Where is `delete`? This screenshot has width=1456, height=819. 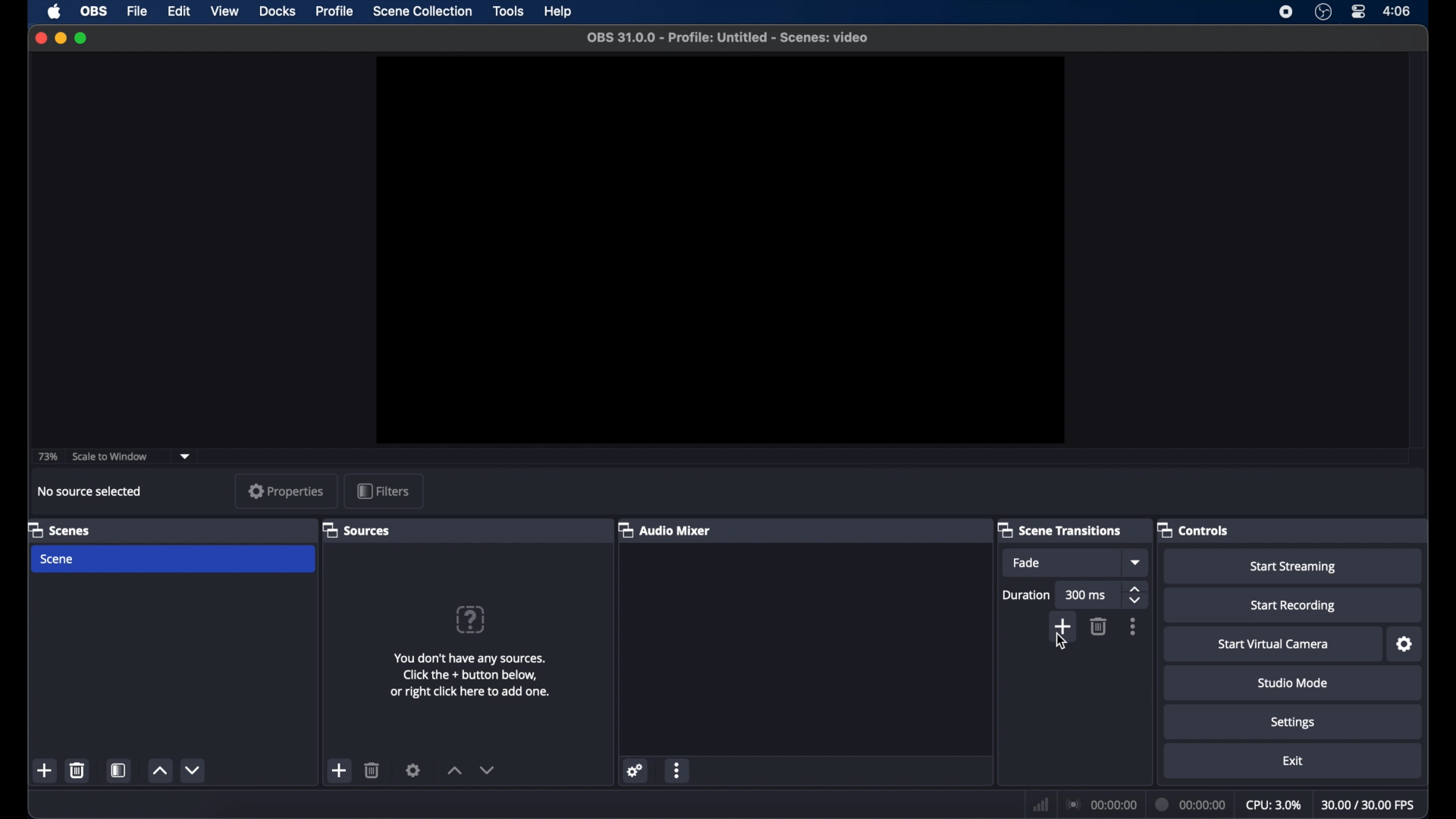
delete is located at coordinates (1100, 626).